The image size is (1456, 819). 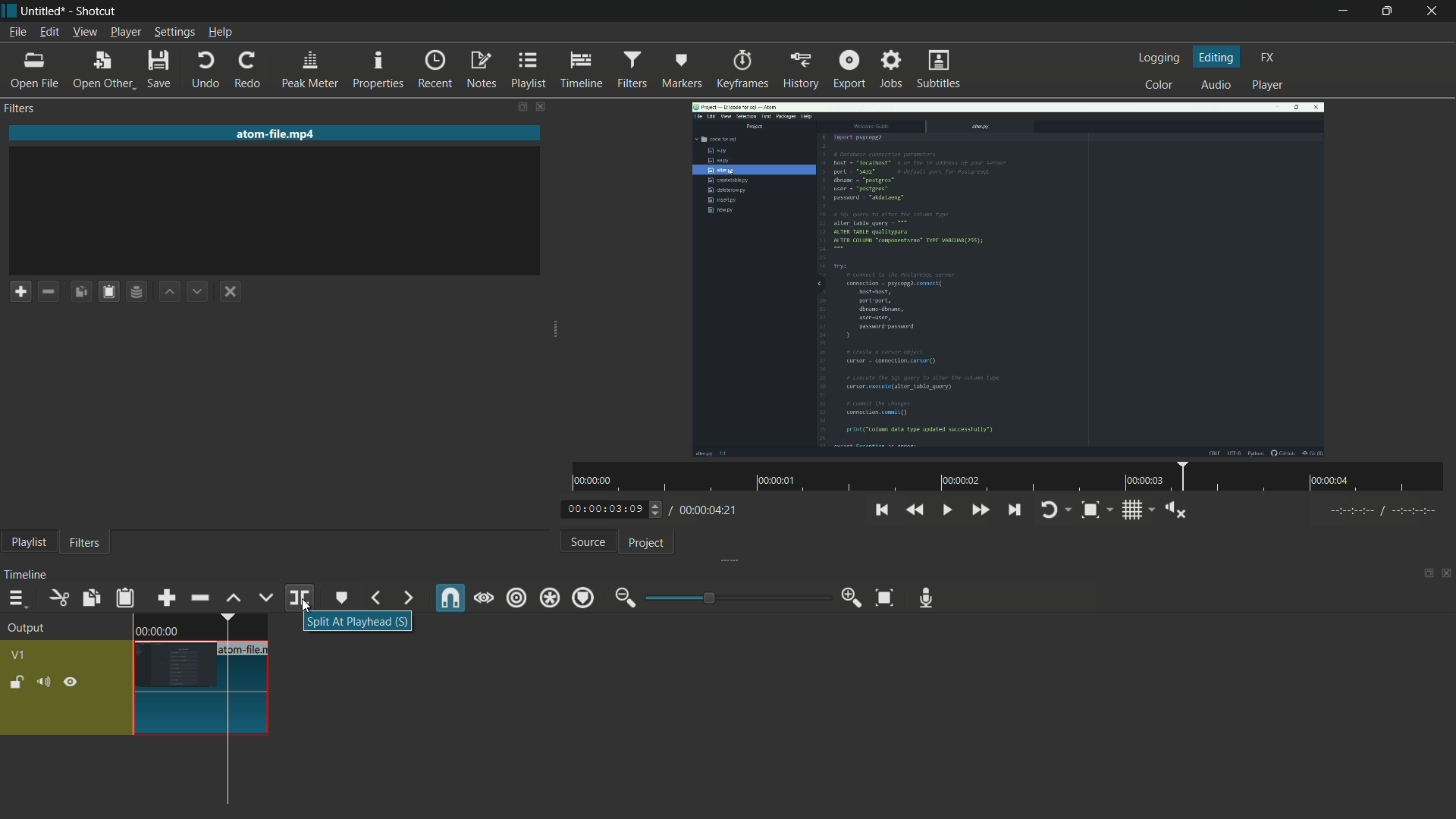 I want to click on save, so click(x=160, y=68).